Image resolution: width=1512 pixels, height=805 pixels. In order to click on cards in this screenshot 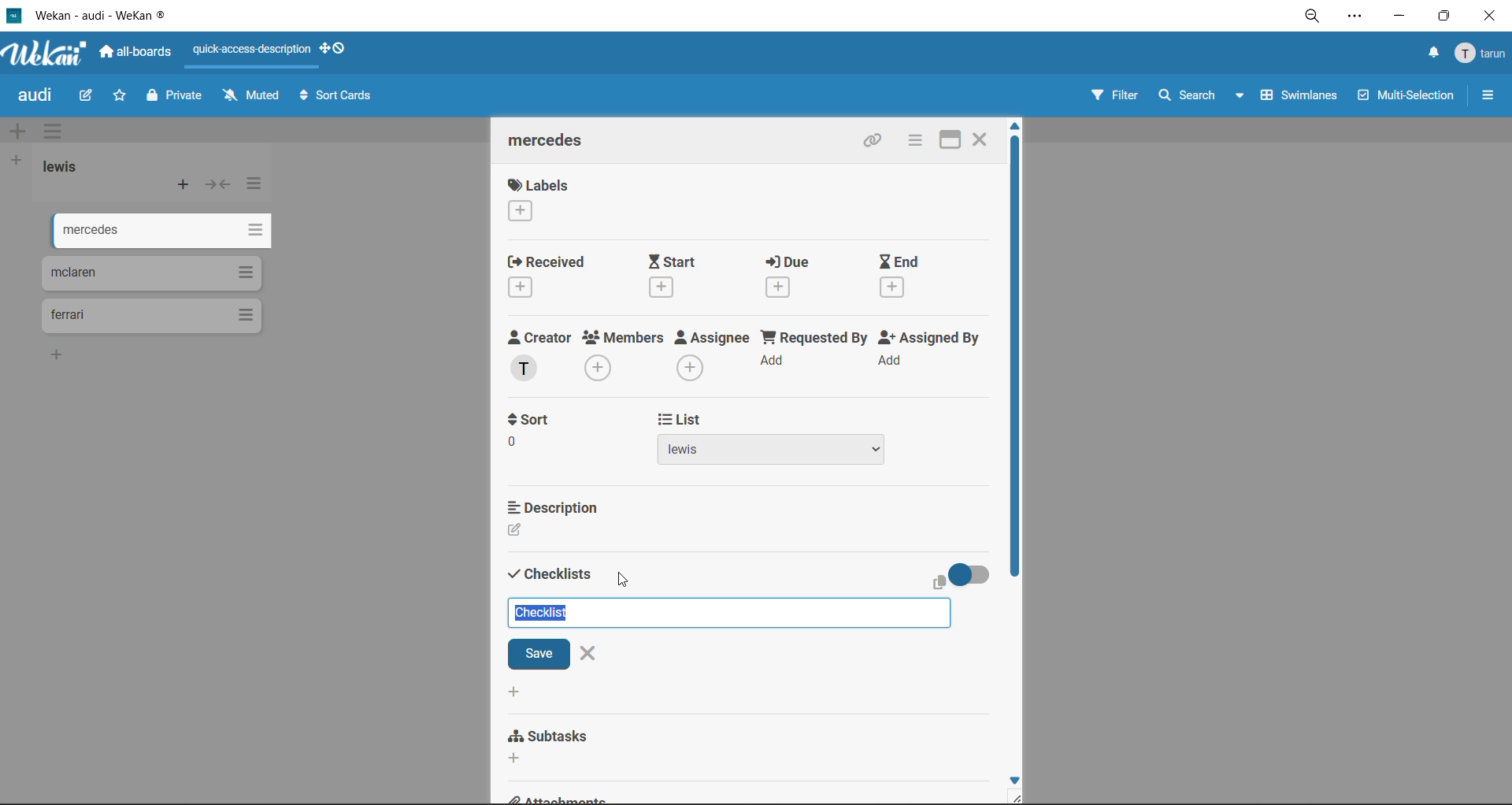, I will do `click(159, 315)`.